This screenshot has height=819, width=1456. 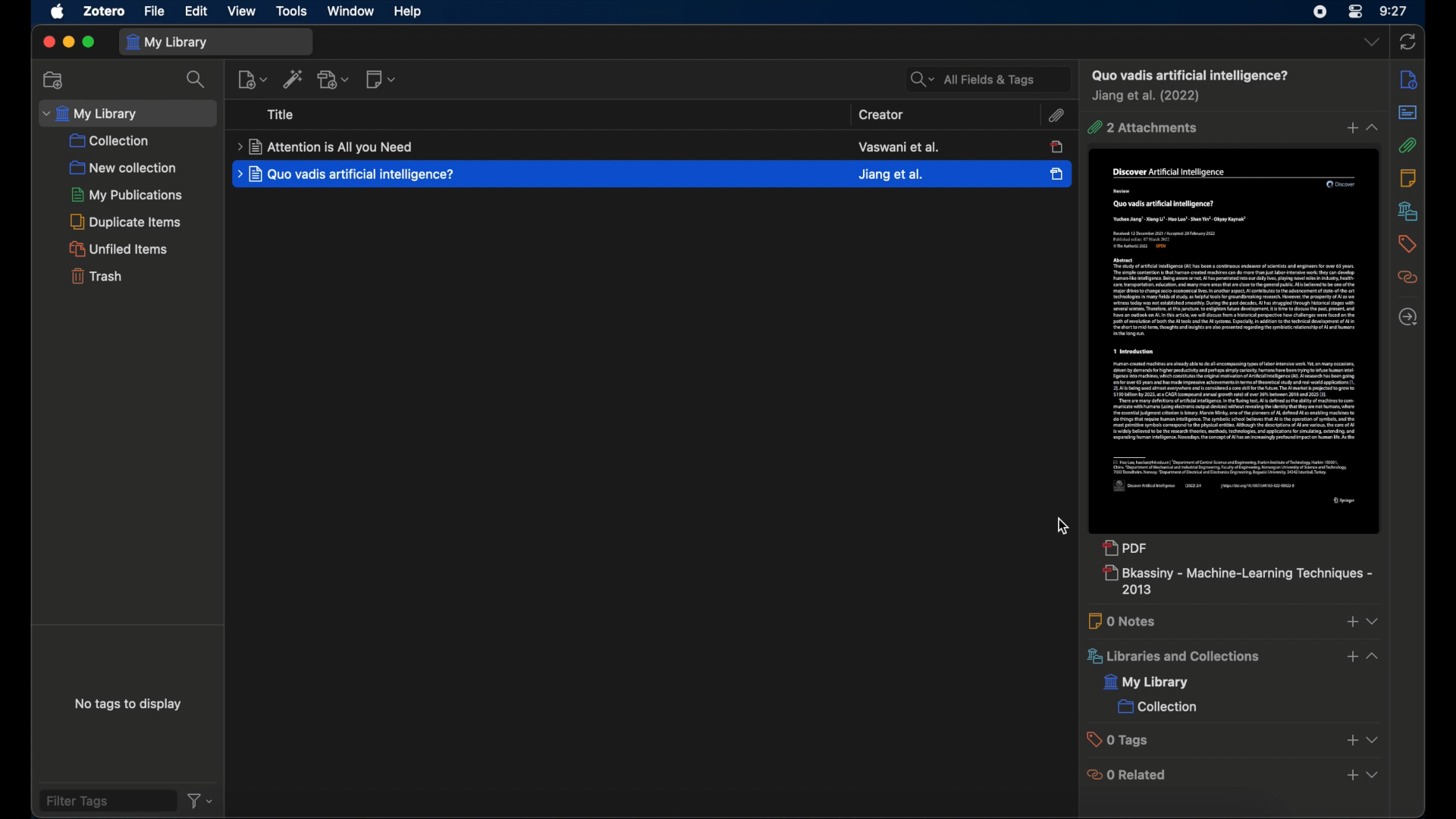 What do you see at coordinates (1138, 128) in the screenshot?
I see `1 attachment` at bounding box center [1138, 128].